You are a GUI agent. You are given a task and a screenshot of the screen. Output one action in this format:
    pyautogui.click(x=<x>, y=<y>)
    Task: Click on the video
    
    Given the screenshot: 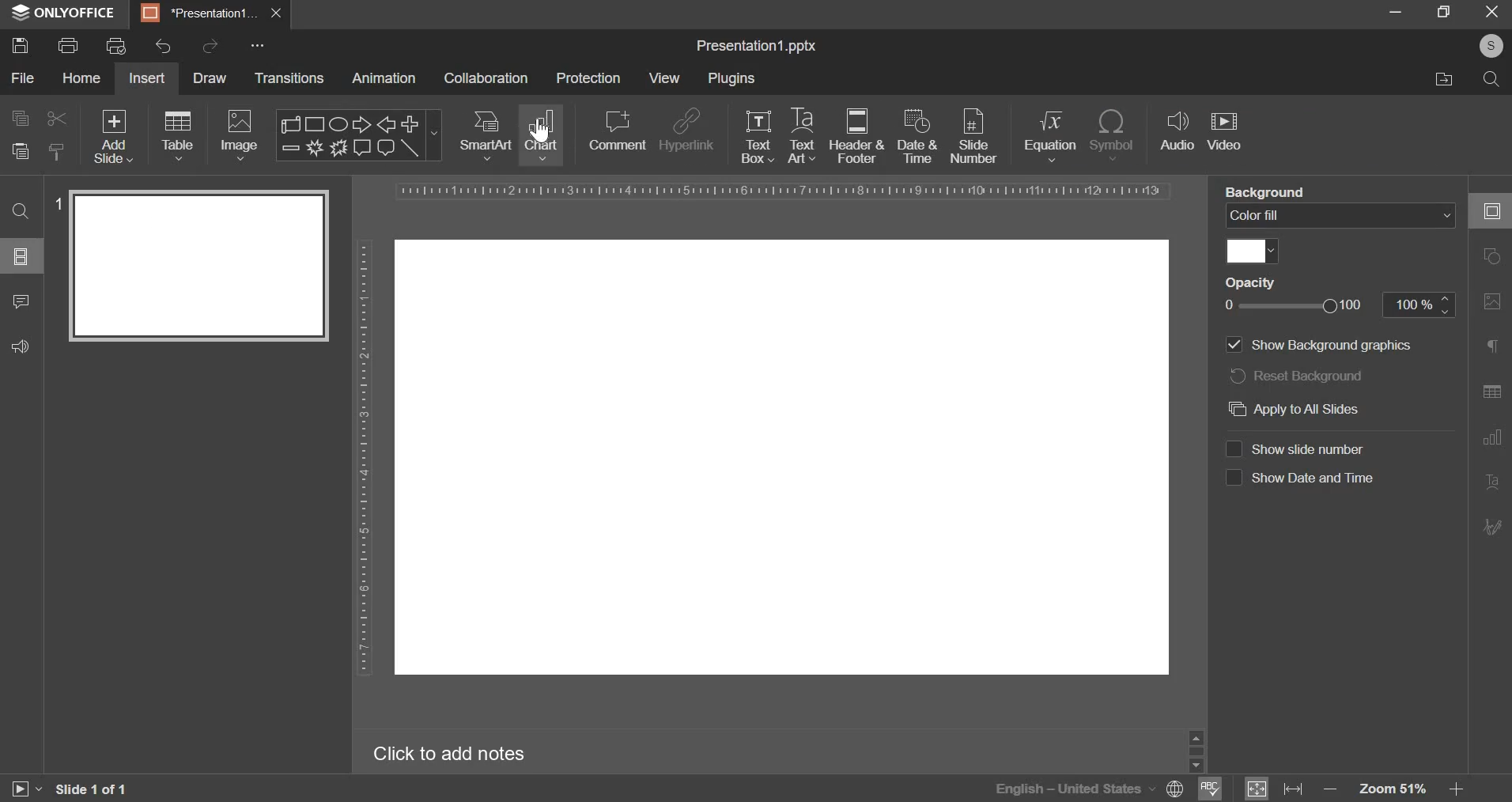 What is the action you would take?
    pyautogui.click(x=1225, y=130)
    